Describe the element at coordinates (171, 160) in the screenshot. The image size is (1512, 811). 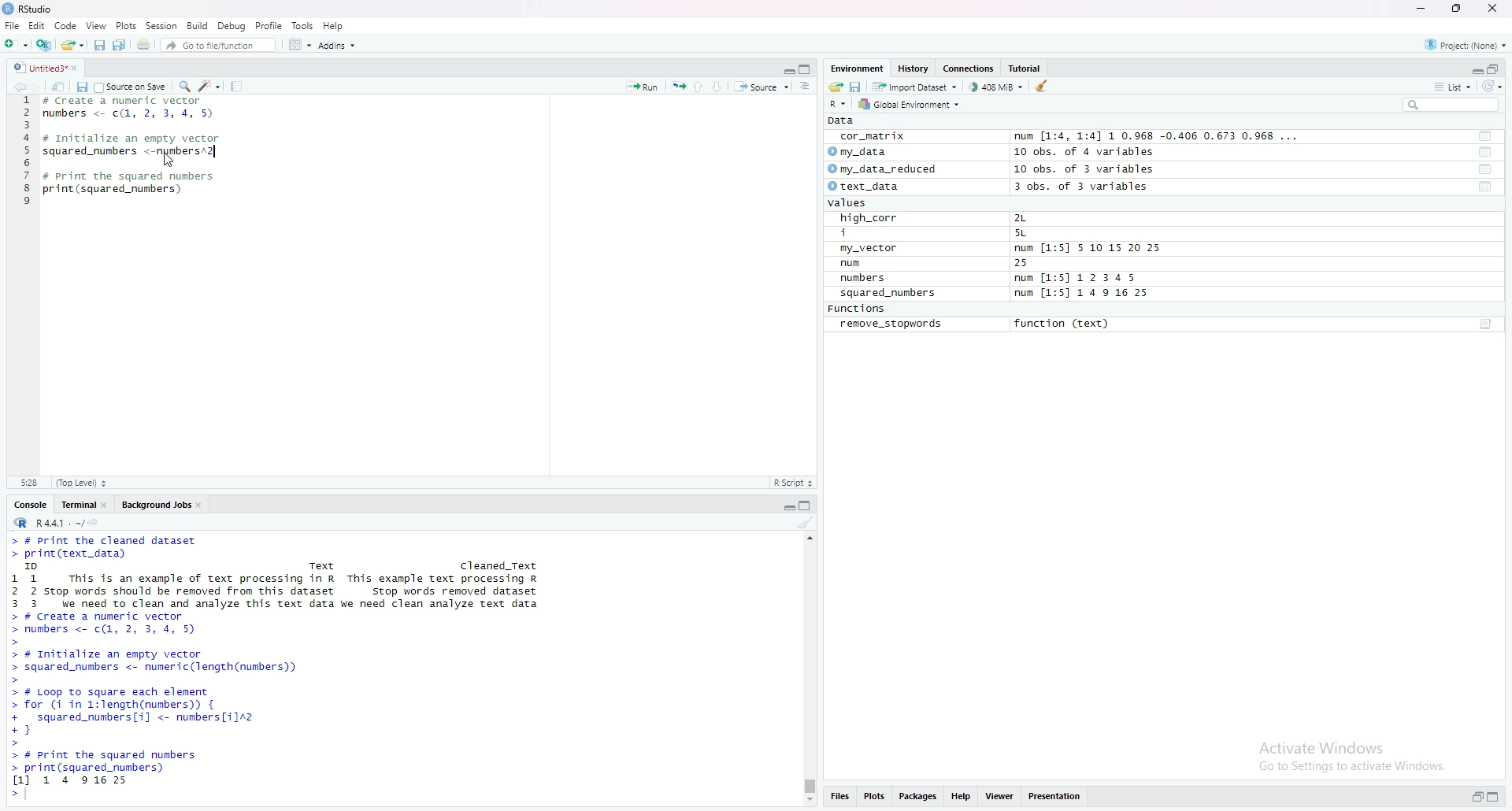
I see `cursor` at that location.